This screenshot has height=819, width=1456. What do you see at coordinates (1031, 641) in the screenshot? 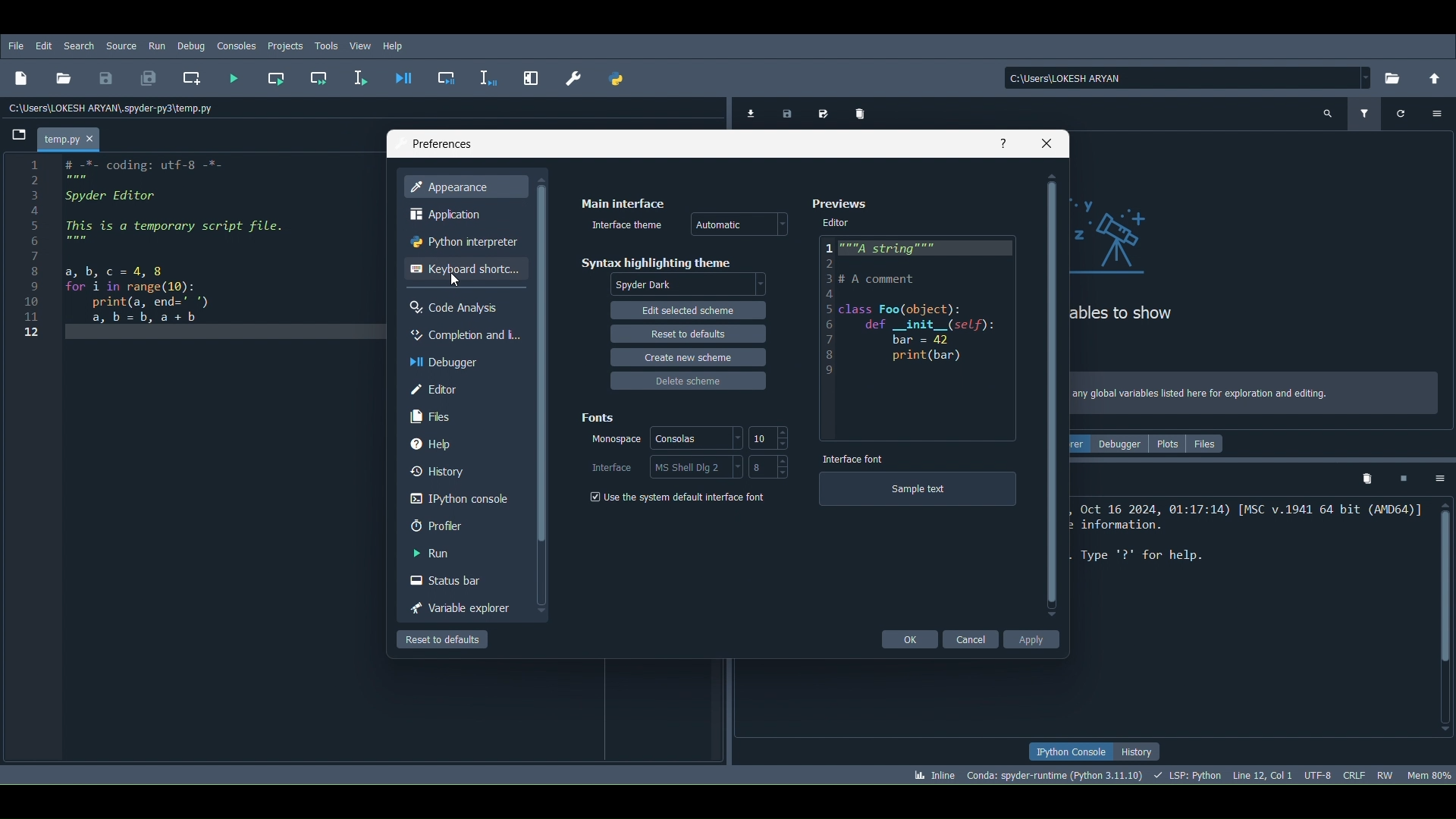
I see `Apply` at bounding box center [1031, 641].